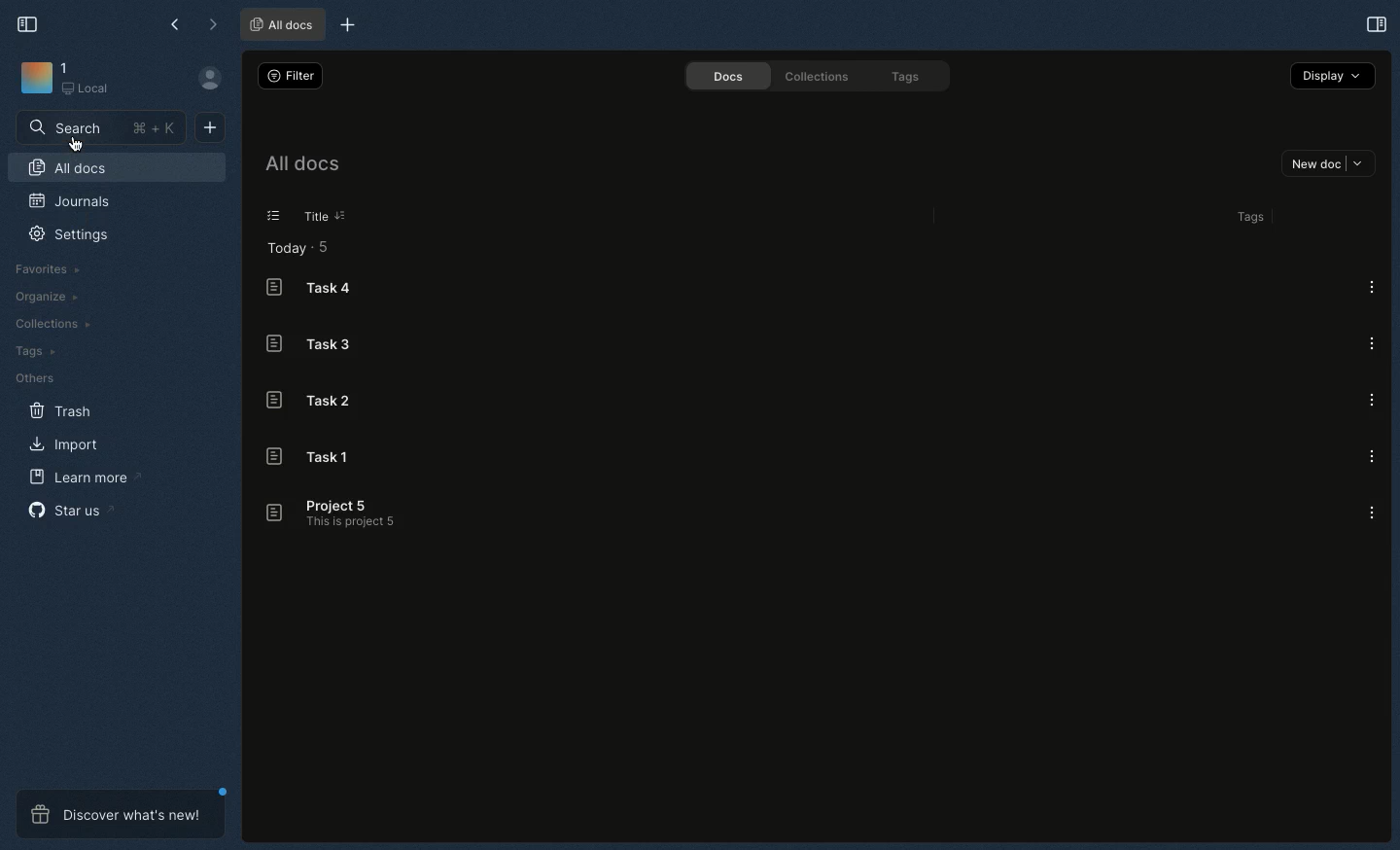 Image resolution: width=1400 pixels, height=850 pixels. I want to click on Trash, so click(62, 409).